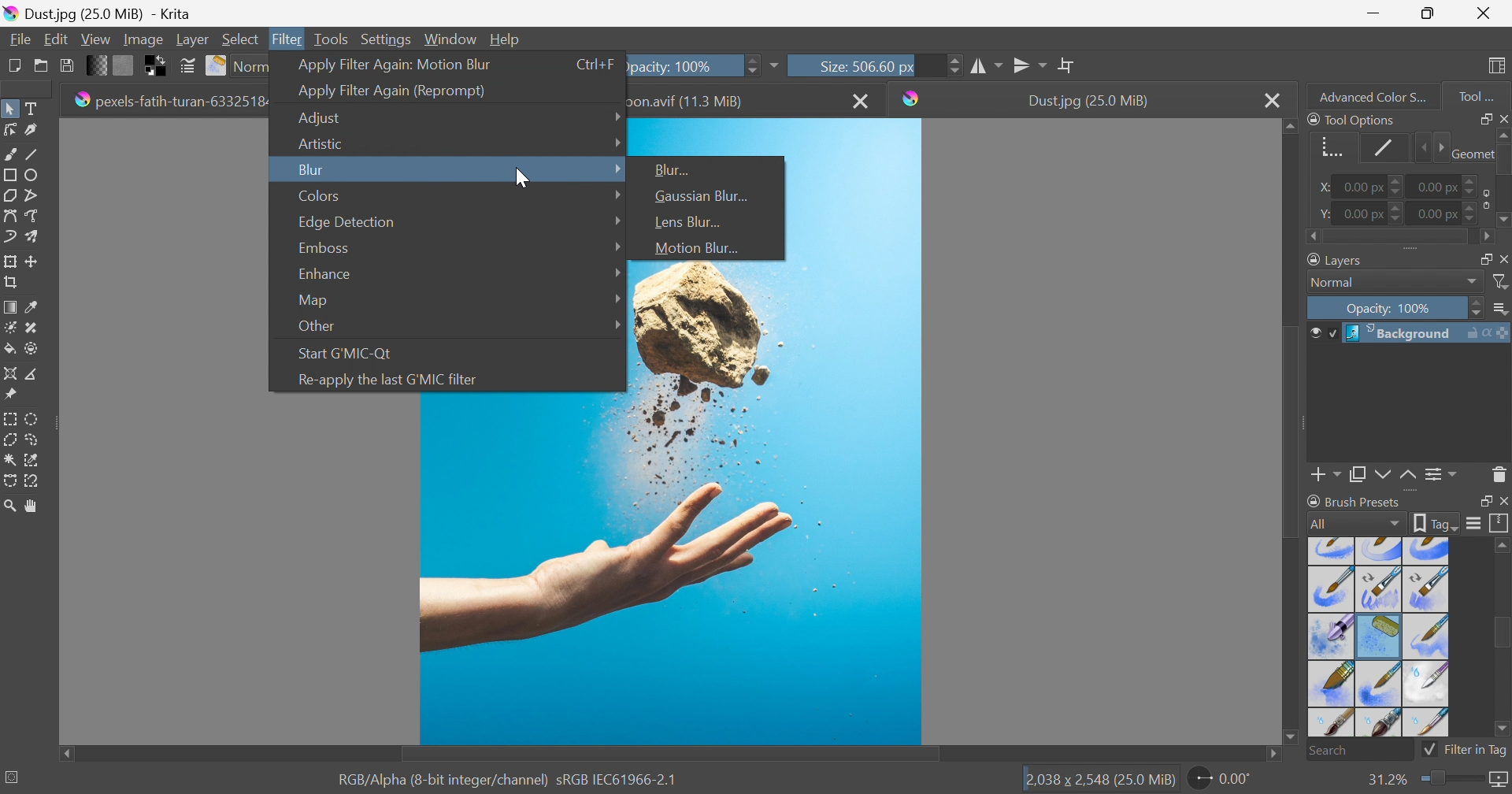 This screenshot has width=1512, height=794. What do you see at coordinates (1466, 750) in the screenshot?
I see `Filter in tag` at bounding box center [1466, 750].